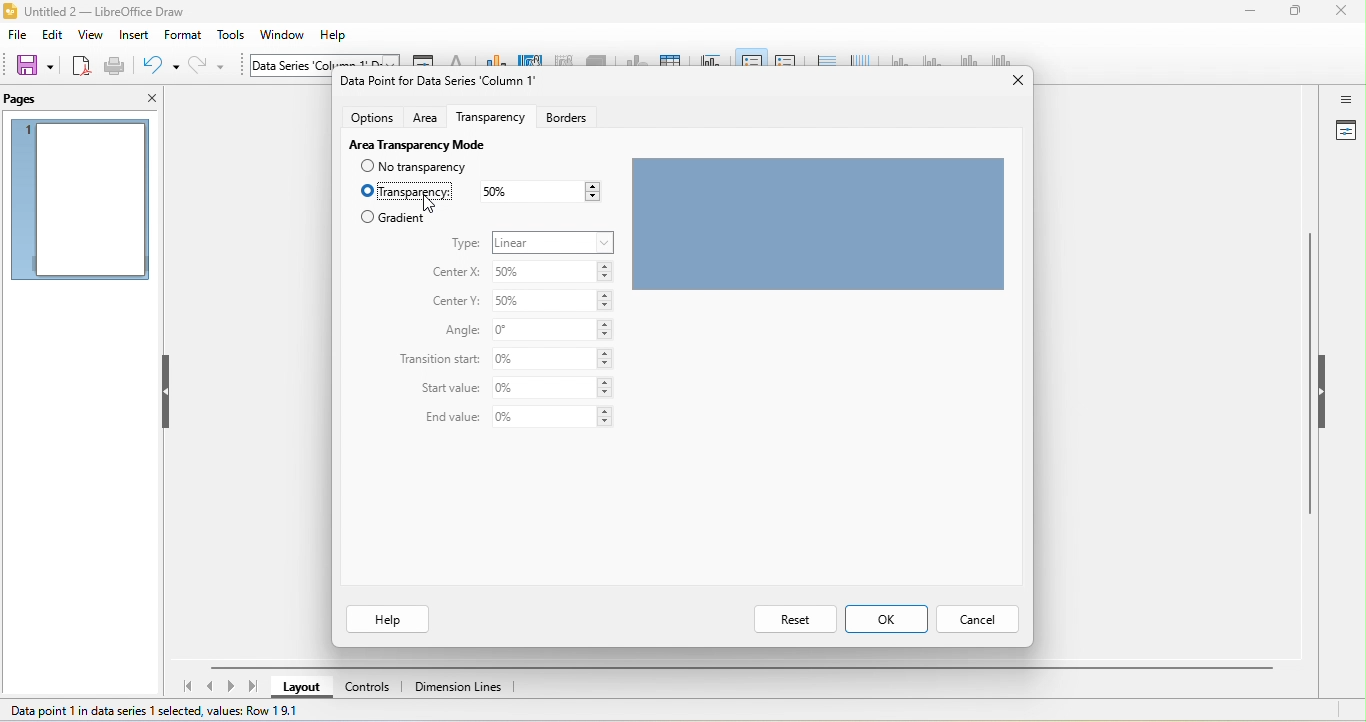 This screenshot has height=722, width=1366. I want to click on vertical scroll bar, so click(1310, 380).